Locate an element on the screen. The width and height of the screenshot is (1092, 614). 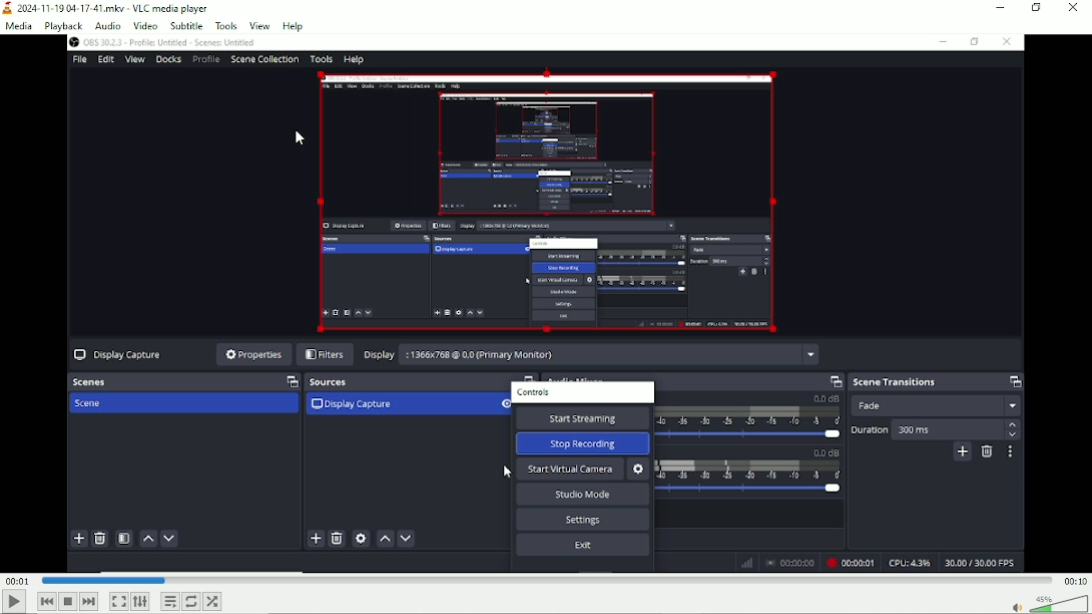
Close is located at coordinates (1074, 8).